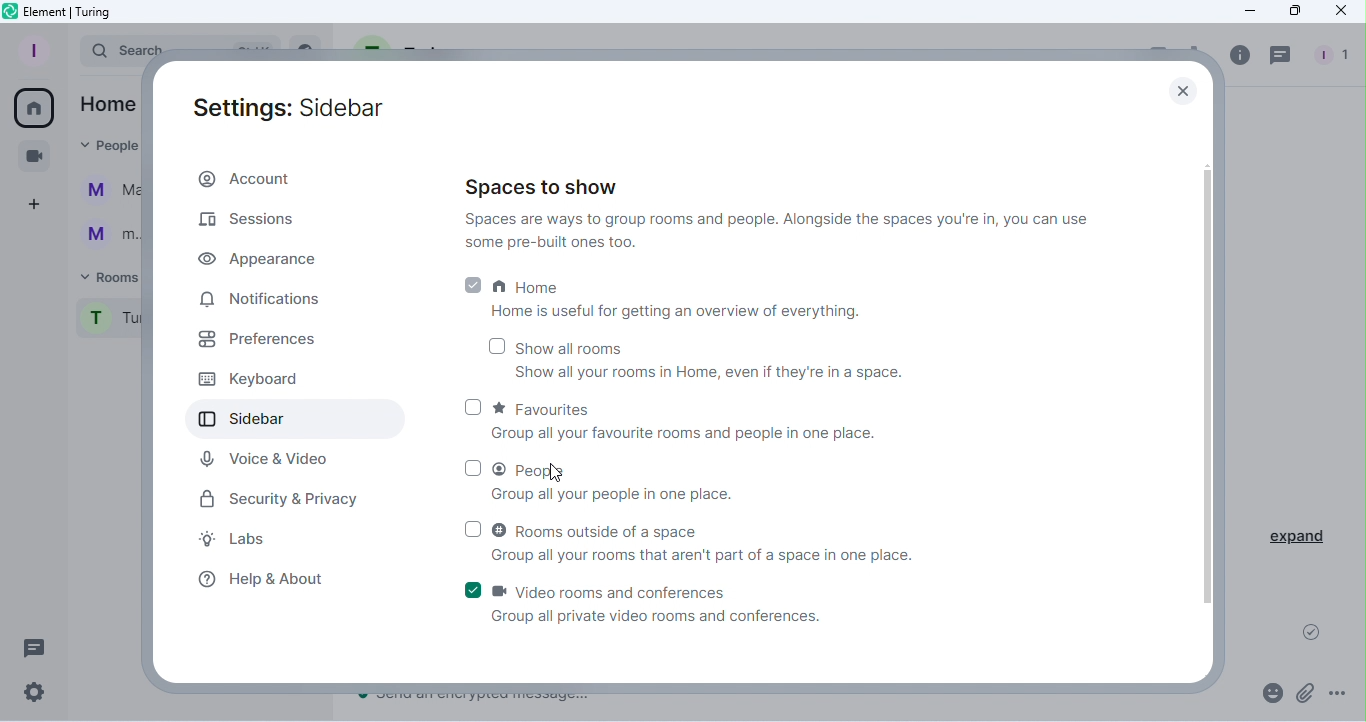 This screenshot has height=722, width=1366. What do you see at coordinates (1303, 692) in the screenshot?
I see `Attachments` at bounding box center [1303, 692].